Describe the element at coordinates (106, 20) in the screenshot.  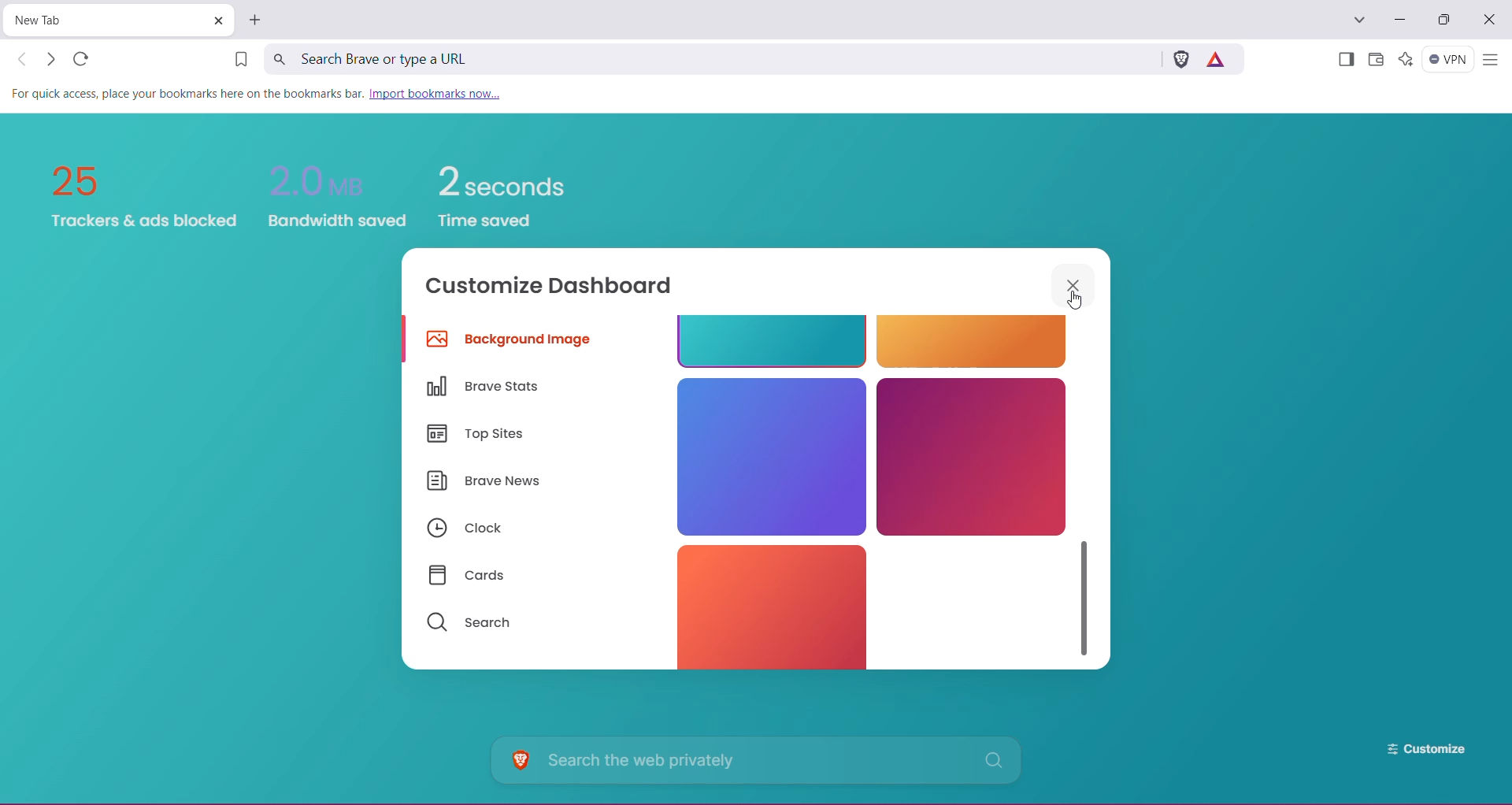
I see `New Tab` at that location.